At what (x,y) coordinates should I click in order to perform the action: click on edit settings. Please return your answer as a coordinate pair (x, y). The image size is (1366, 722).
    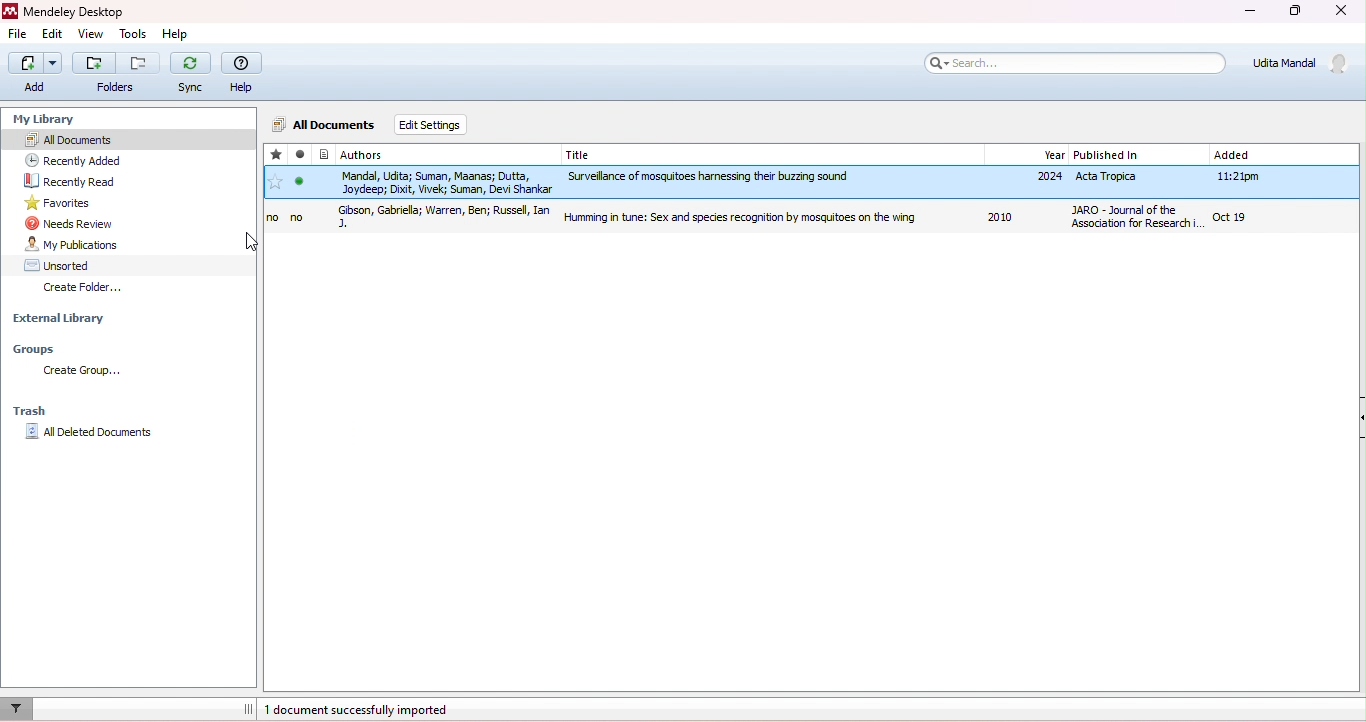
    Looking at the image, I should click on (430, 124).